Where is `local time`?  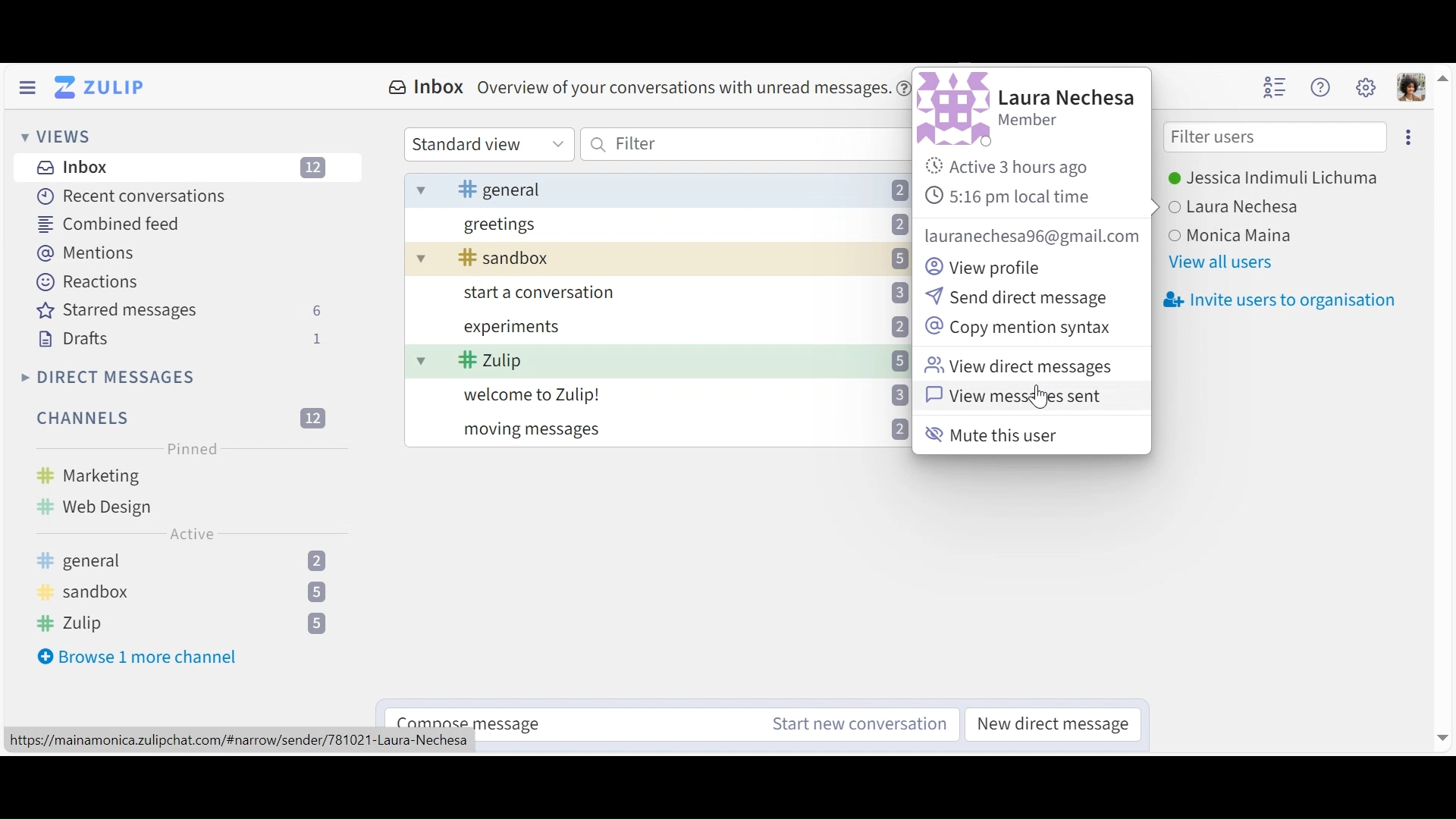
local time is located at coordinates (1013, 196).